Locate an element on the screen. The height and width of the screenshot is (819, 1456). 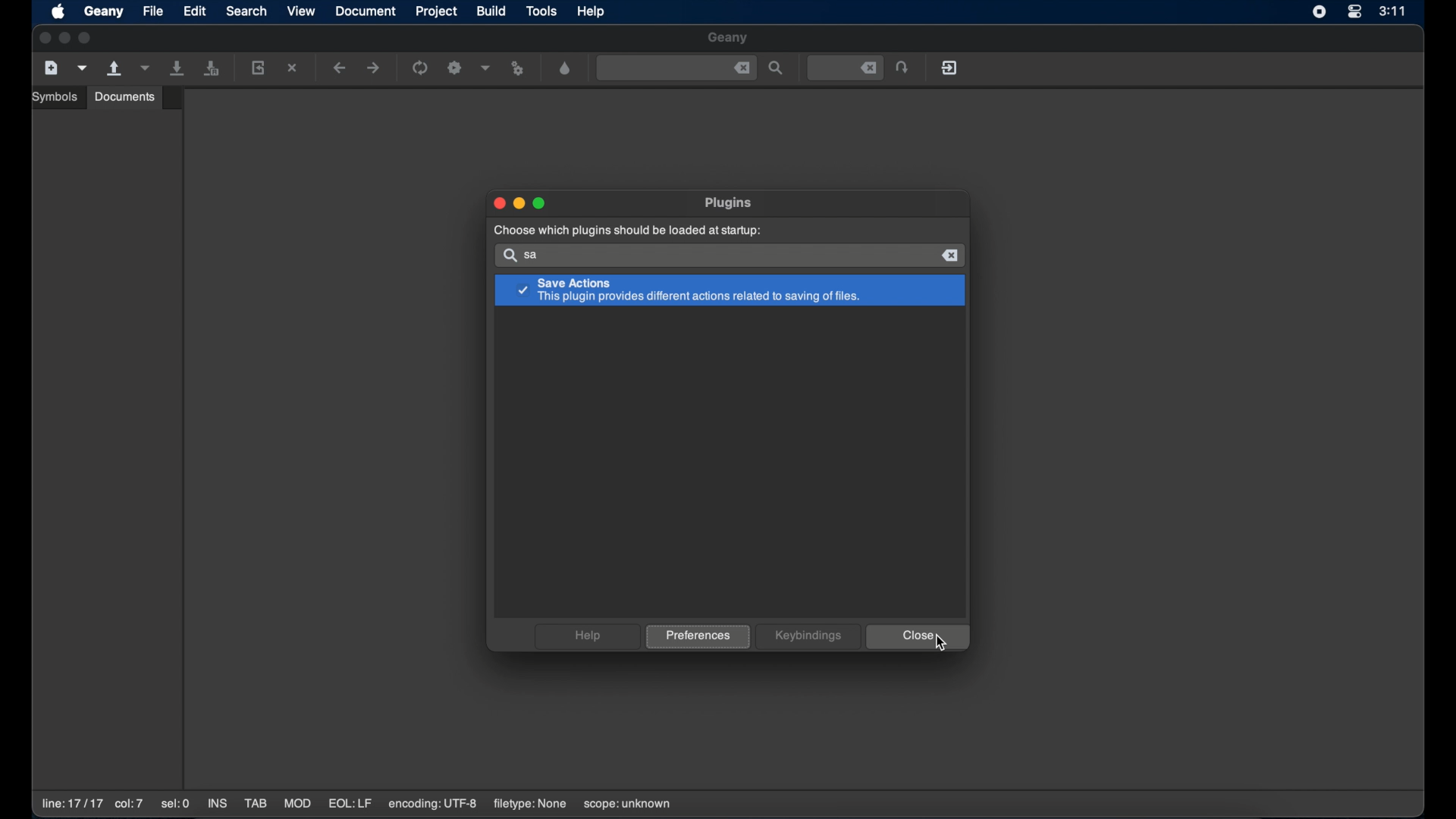
apple icon is located at coordinates (60, 13).